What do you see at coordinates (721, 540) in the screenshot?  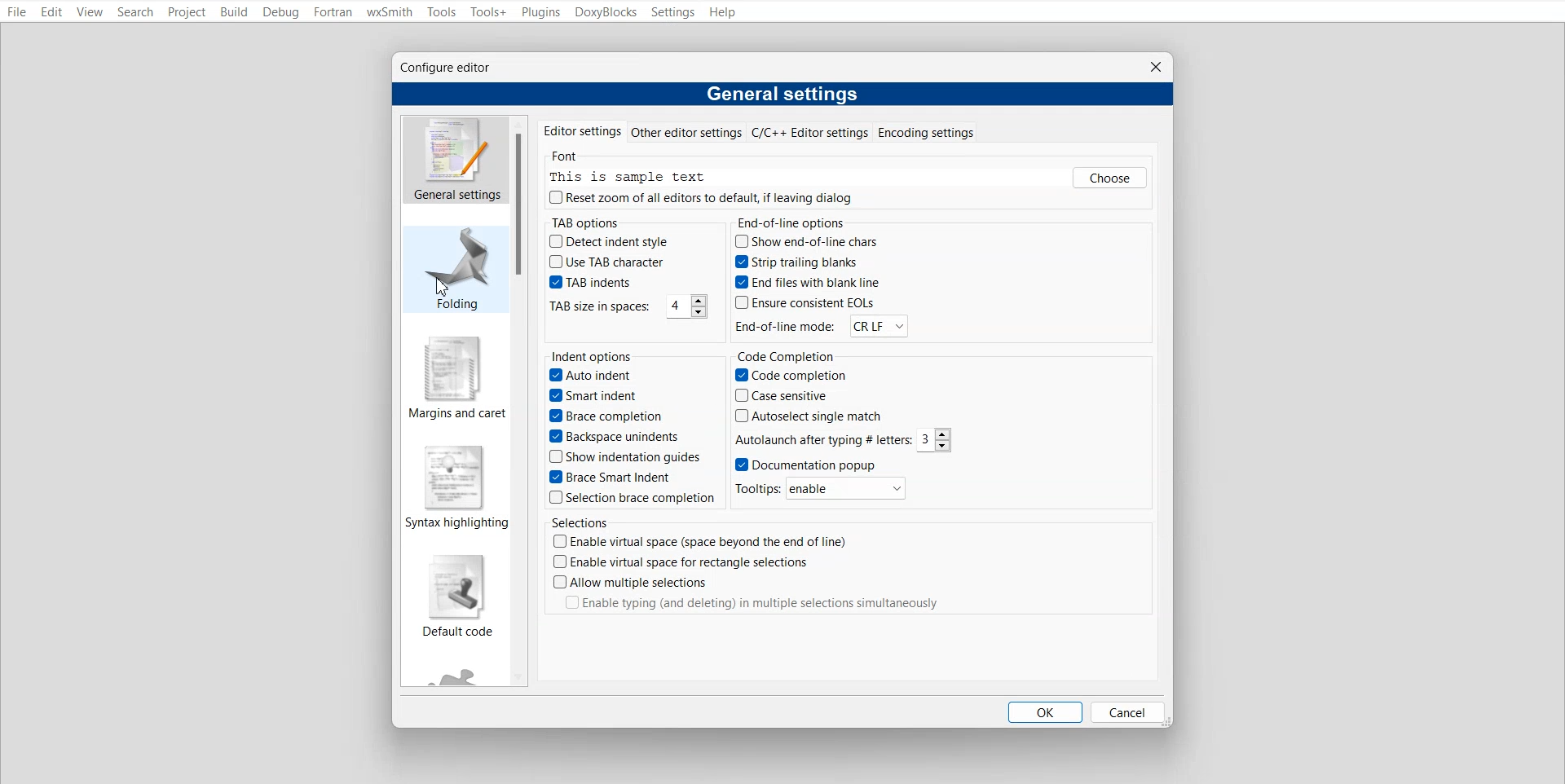 I see `(") Enable virtual space (space beyond the end of line)` at bounding box center [721, 540].